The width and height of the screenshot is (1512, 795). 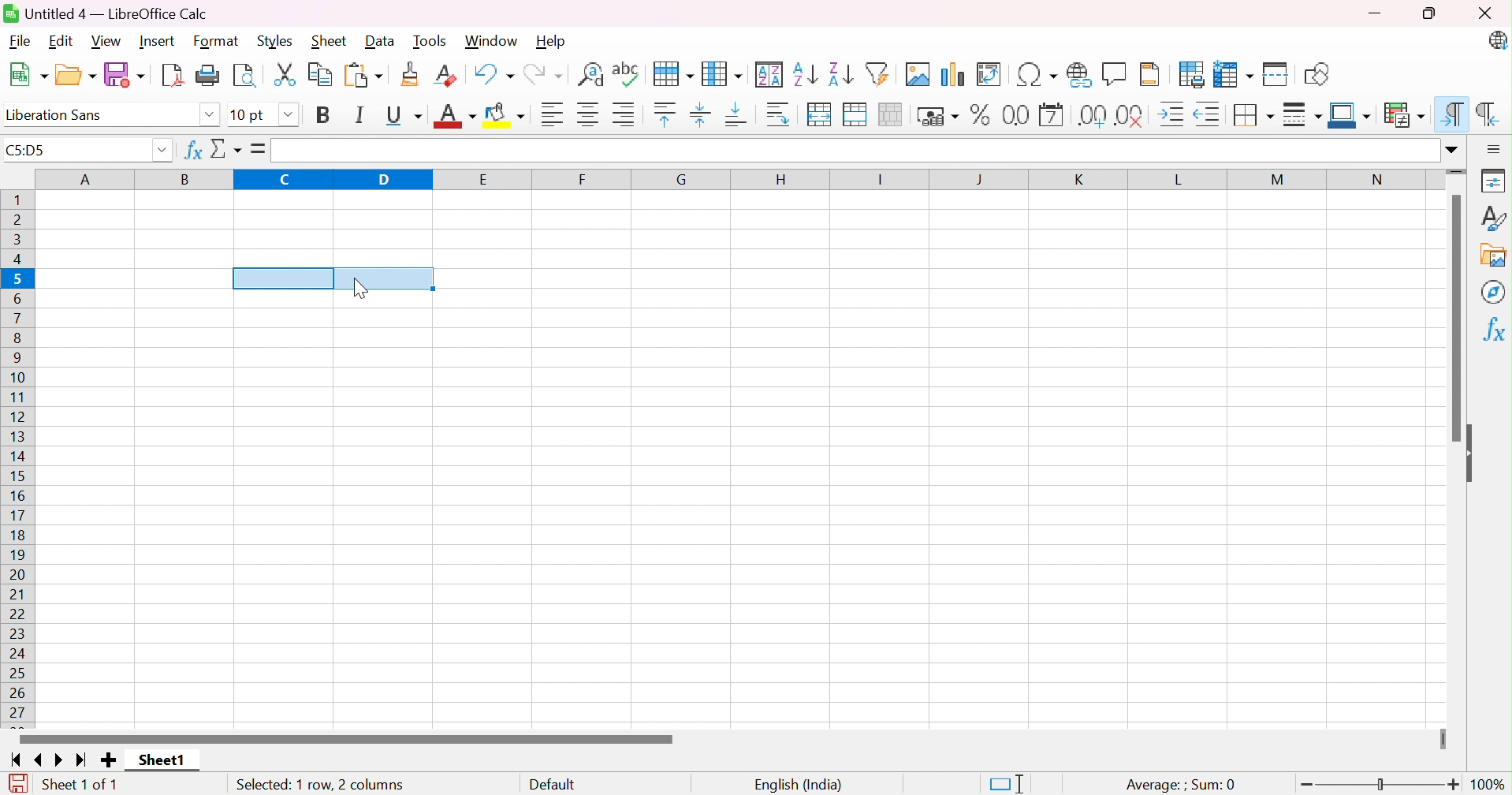 I want to click on Restore Down, so click(x=1430, y=13).